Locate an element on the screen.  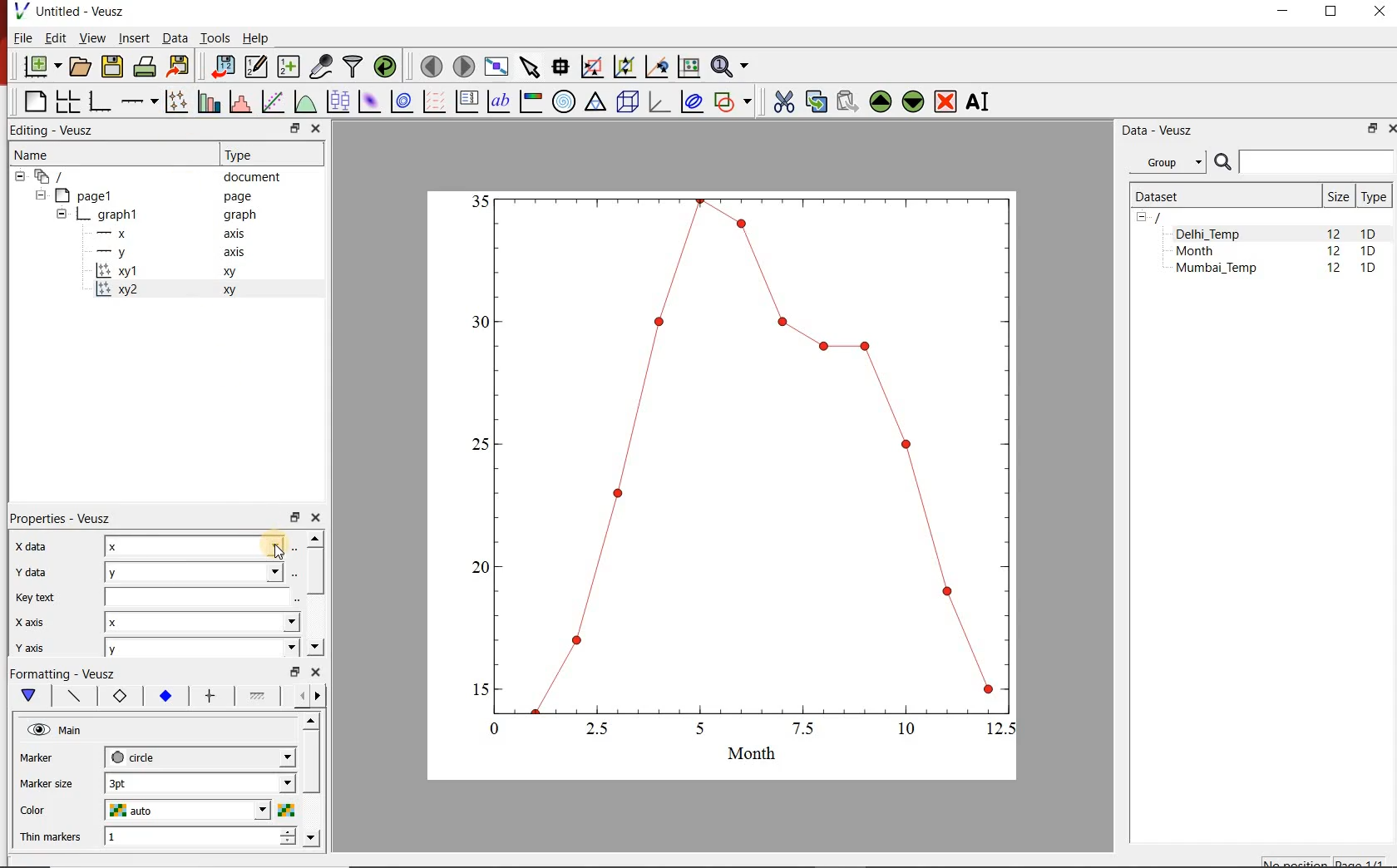
restore is located at coordinates (294, 516).